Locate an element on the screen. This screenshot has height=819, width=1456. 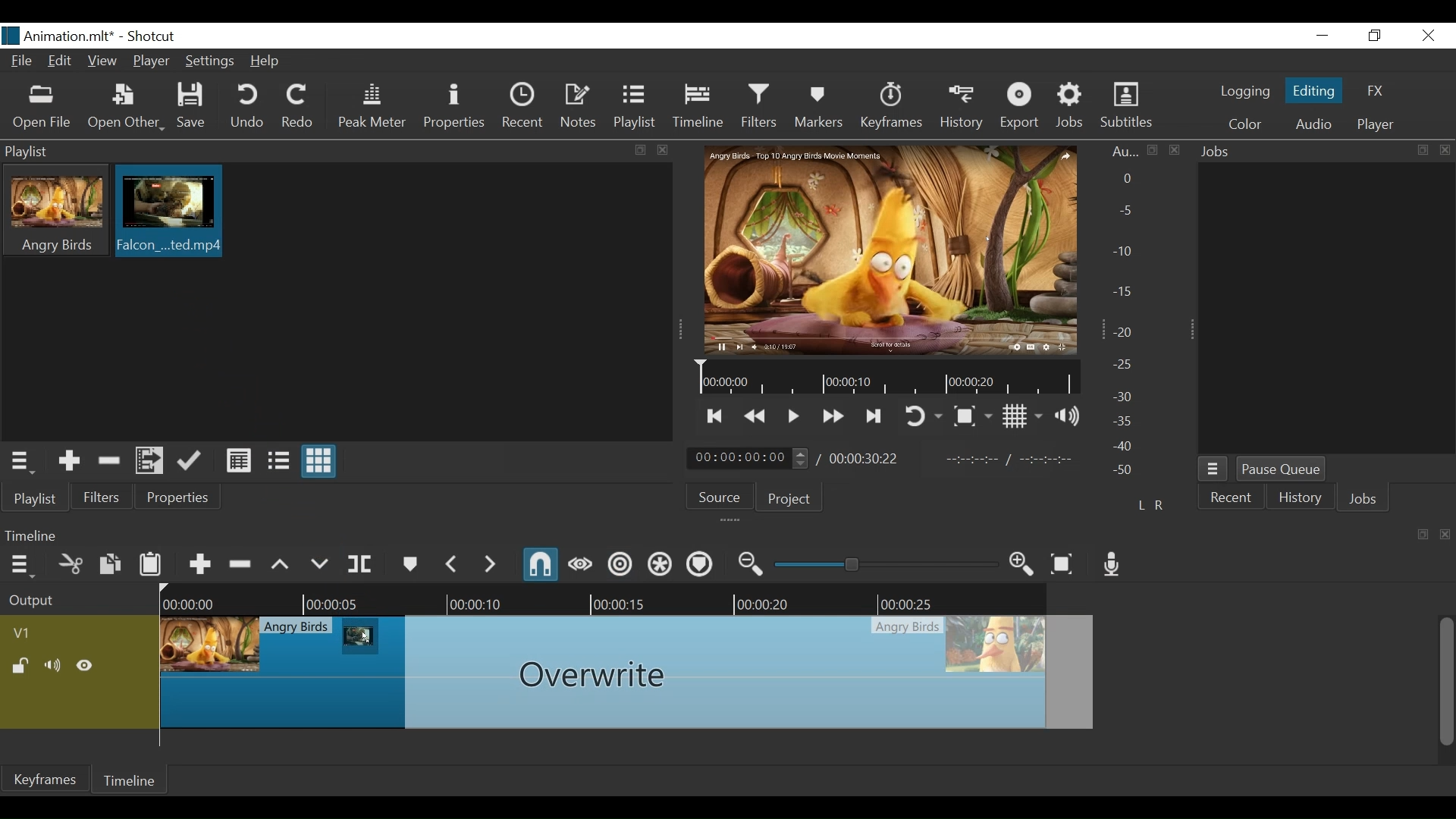
Playlist is located at coordinates (635, 108).